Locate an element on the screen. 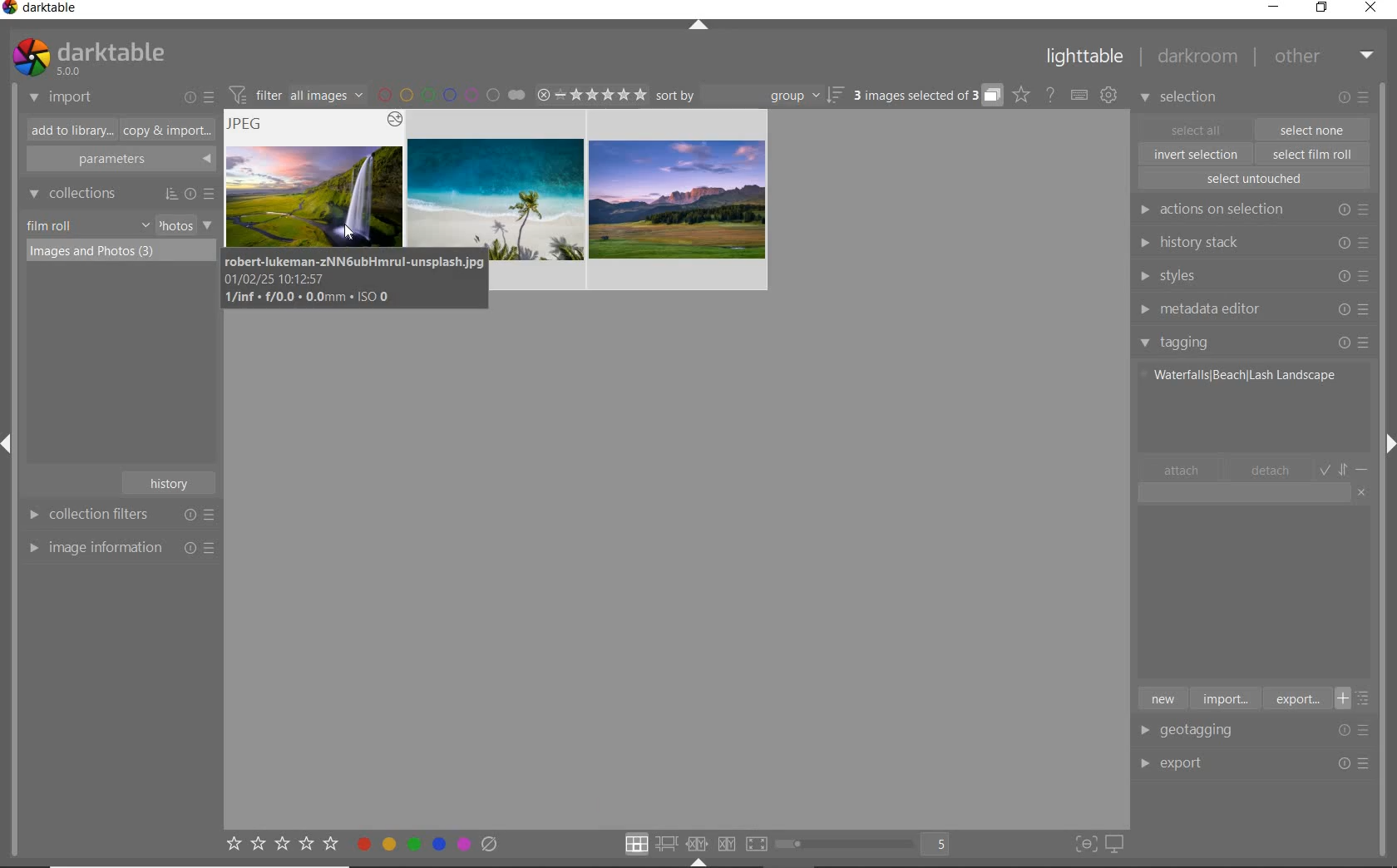  new is located at coordinates (1162, 698).